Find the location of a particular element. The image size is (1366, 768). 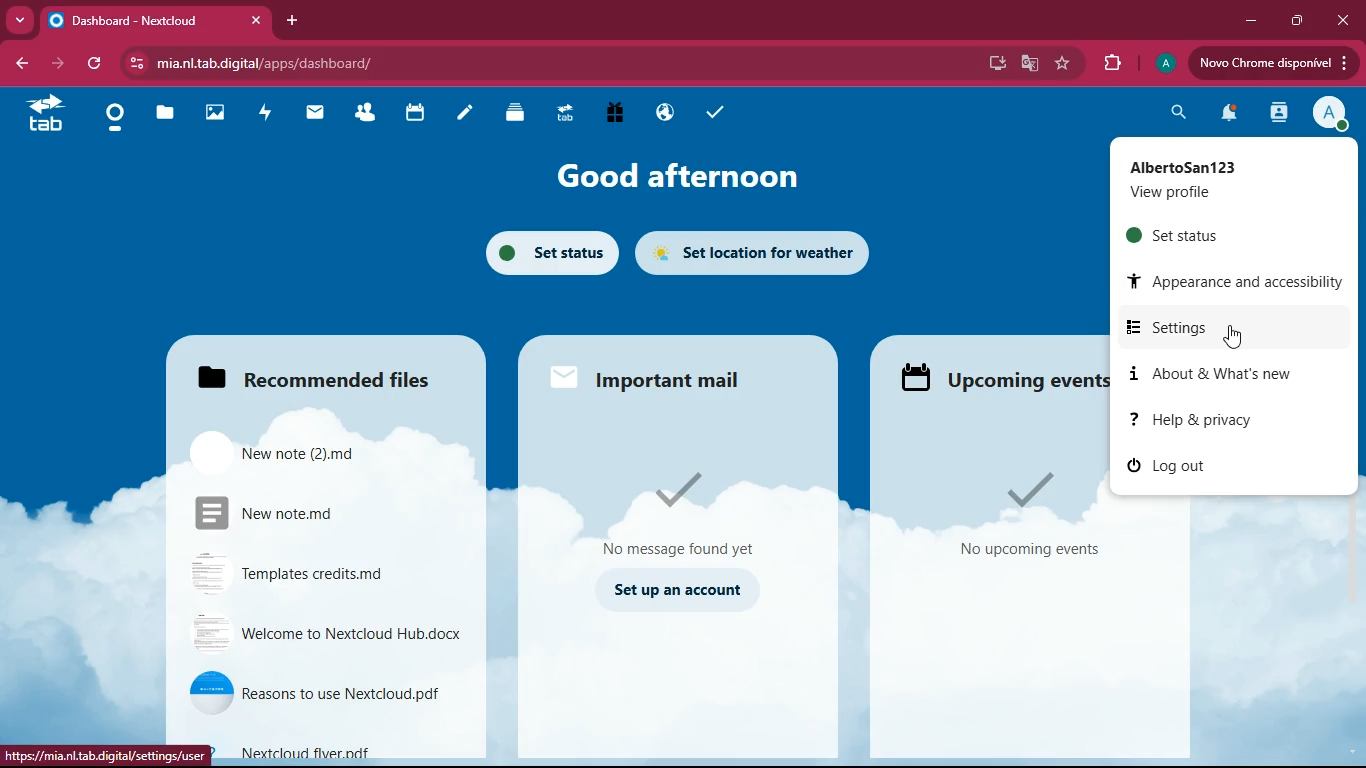

settings is located at coordinates (1169, 329).